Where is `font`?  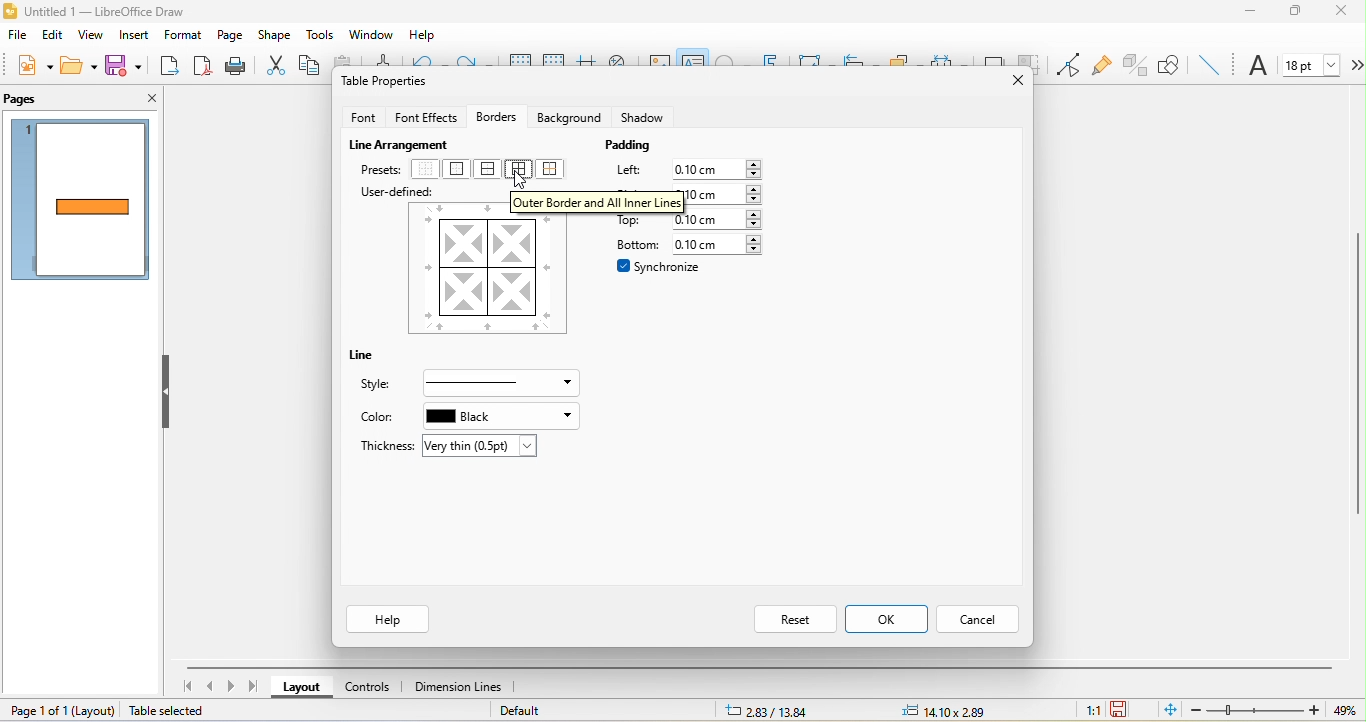
font is located at coordinates (1258, 67).